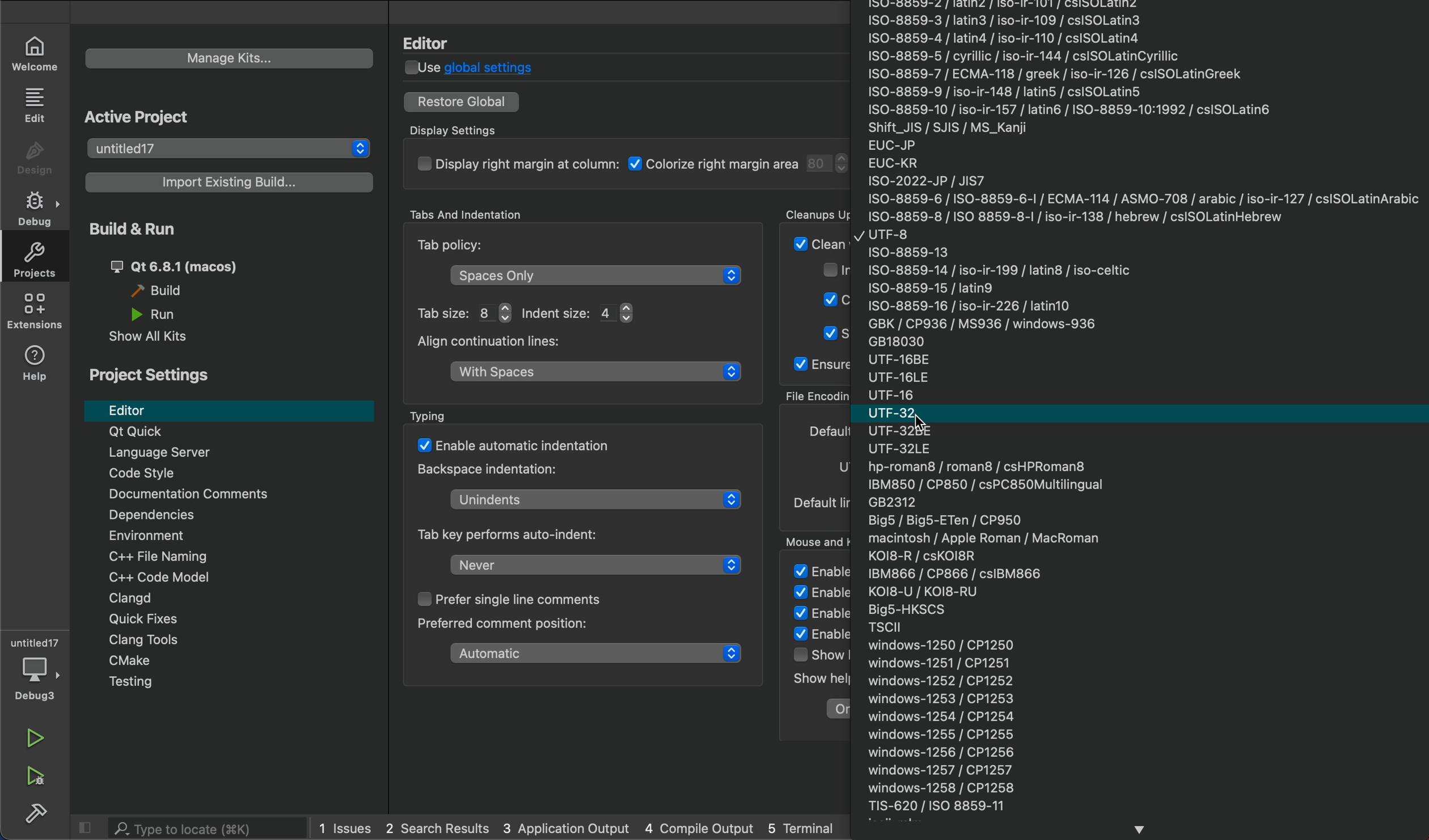 The height and width of the screenshot is (840, 1429). I want to click on run and build, so click(39, 778).